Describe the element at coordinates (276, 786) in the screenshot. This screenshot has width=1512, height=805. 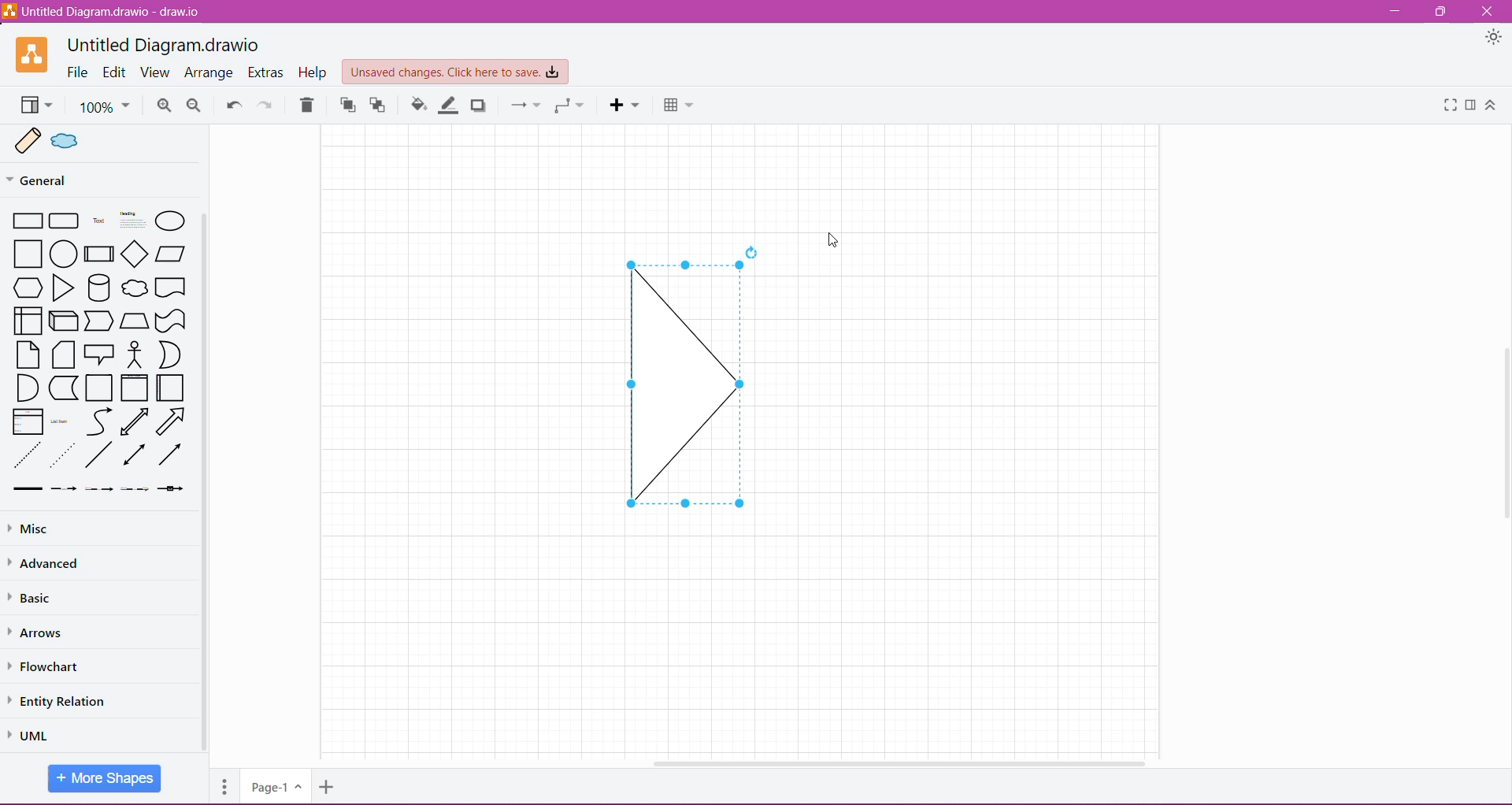
I see `Page-1` at that location.